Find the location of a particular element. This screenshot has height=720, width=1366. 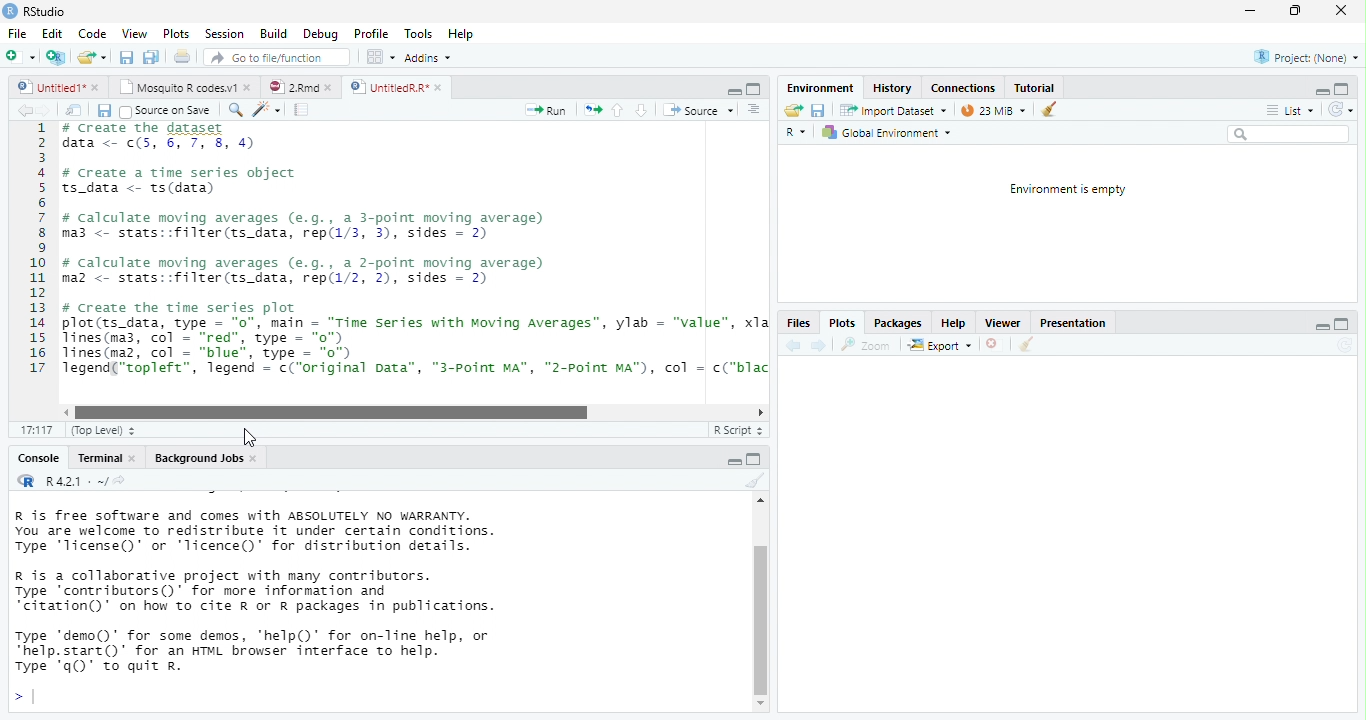

Code is located at coordinates (93, 33).